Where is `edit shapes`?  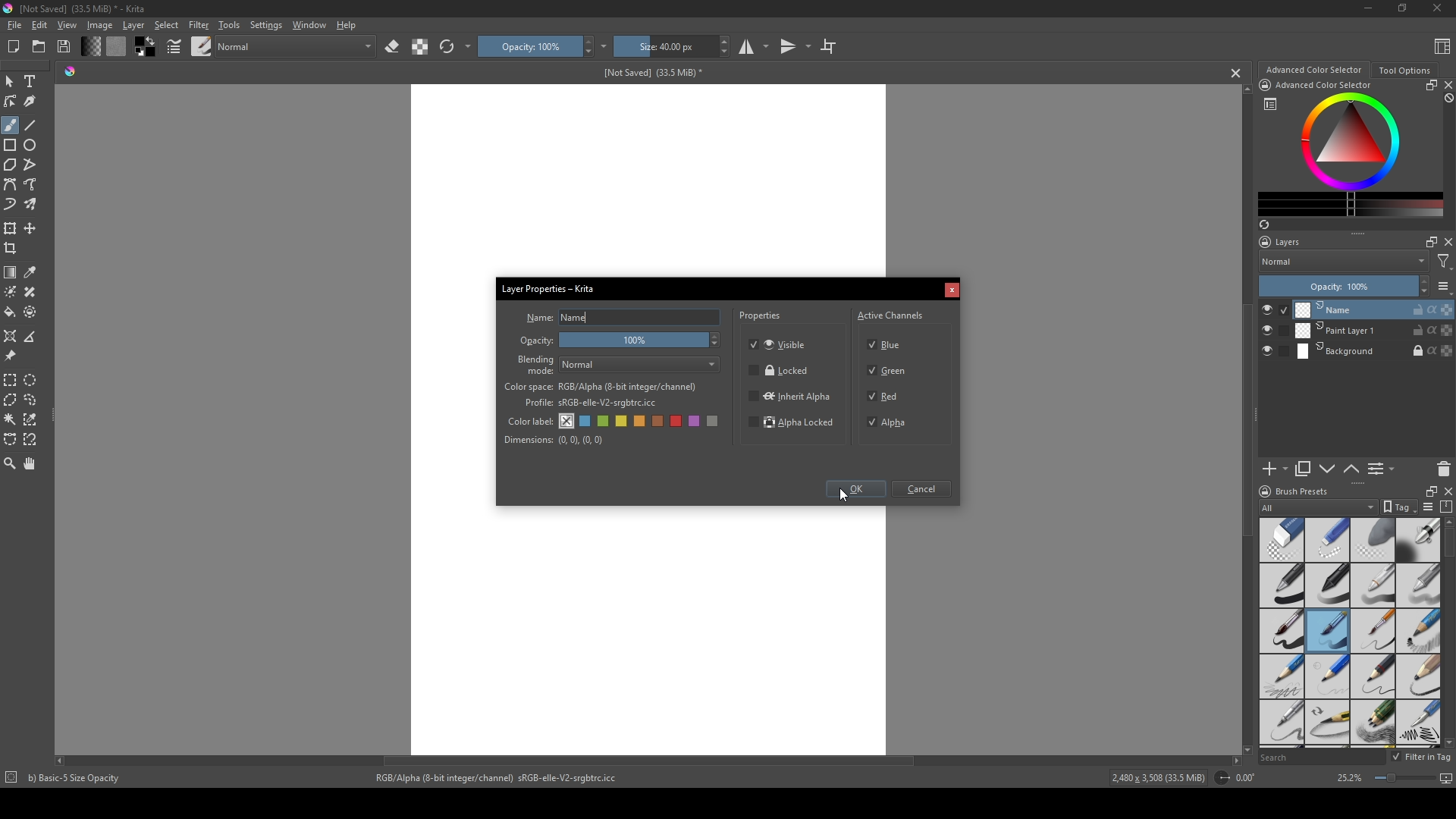
edit shapes is located at coordinates (11, 102).